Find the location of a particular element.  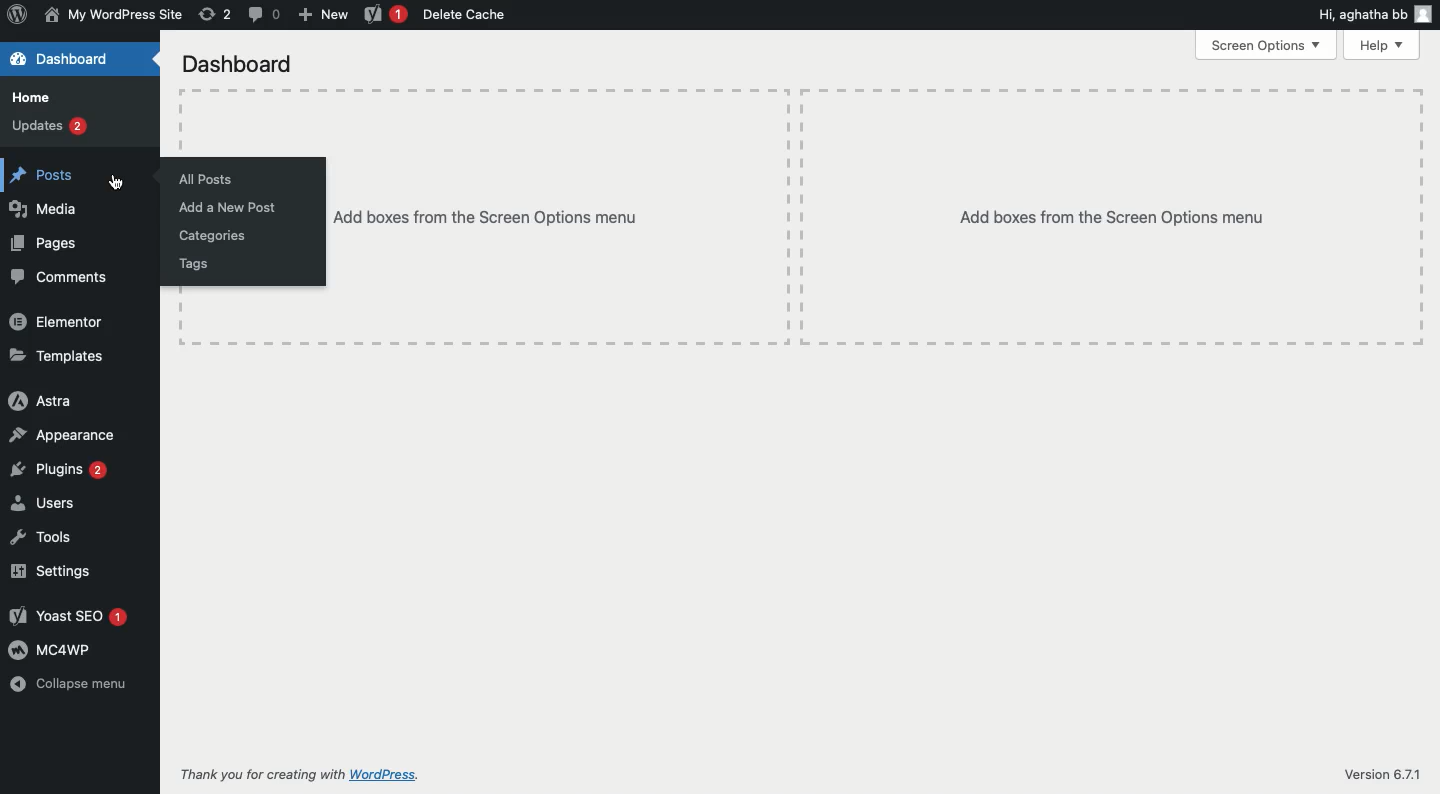

New is located at coordinates (321, 15).